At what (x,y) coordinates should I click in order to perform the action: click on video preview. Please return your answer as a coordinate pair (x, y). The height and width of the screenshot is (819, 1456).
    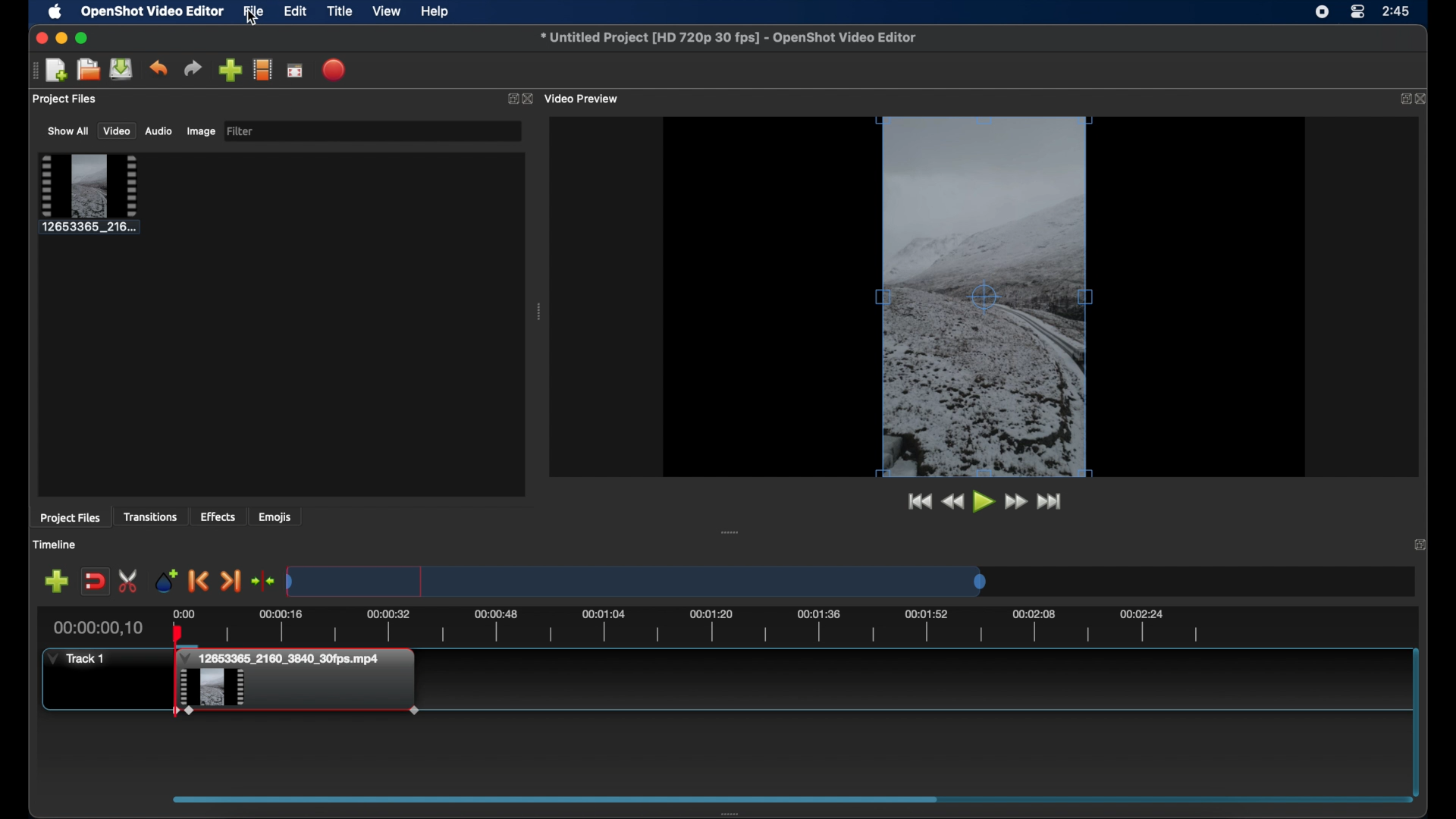
    Looking at the image, I should click on (584, 99).